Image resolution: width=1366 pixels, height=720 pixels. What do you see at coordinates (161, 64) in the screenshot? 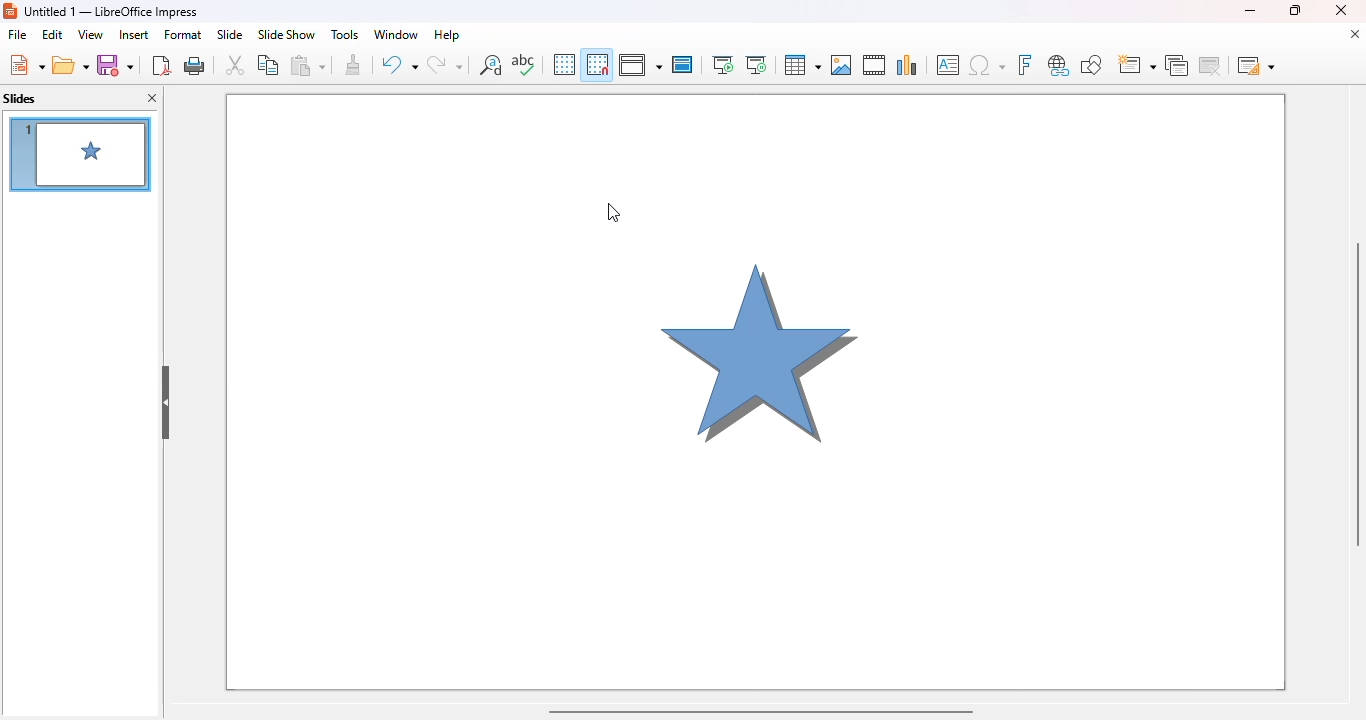
I see `export directly as PDF` at bounding box center [161, 64].